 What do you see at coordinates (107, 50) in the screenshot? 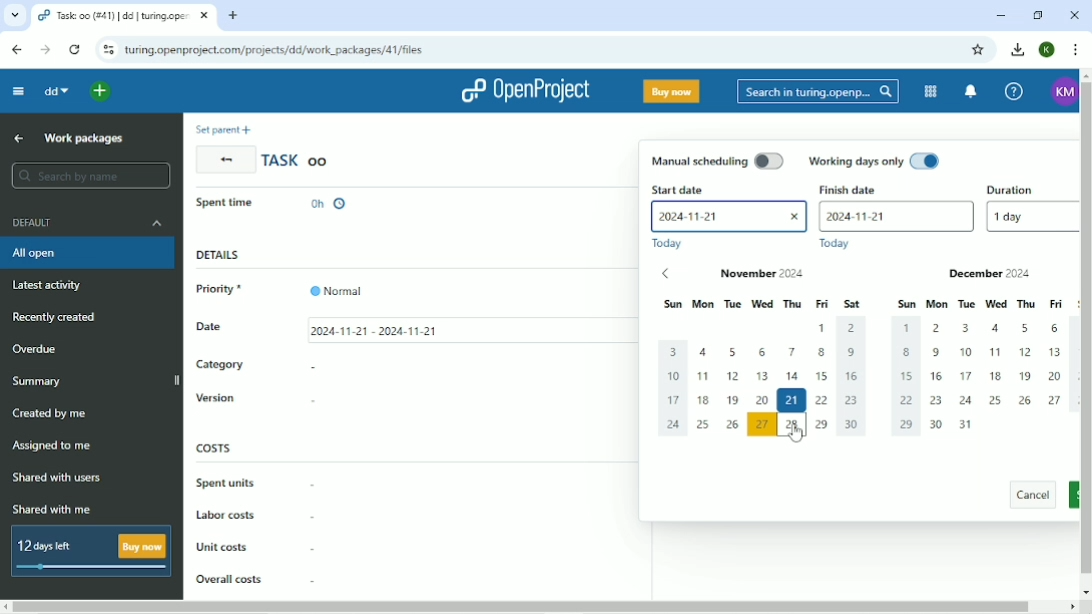
I see `View site information` at bounding box center [107, 50].